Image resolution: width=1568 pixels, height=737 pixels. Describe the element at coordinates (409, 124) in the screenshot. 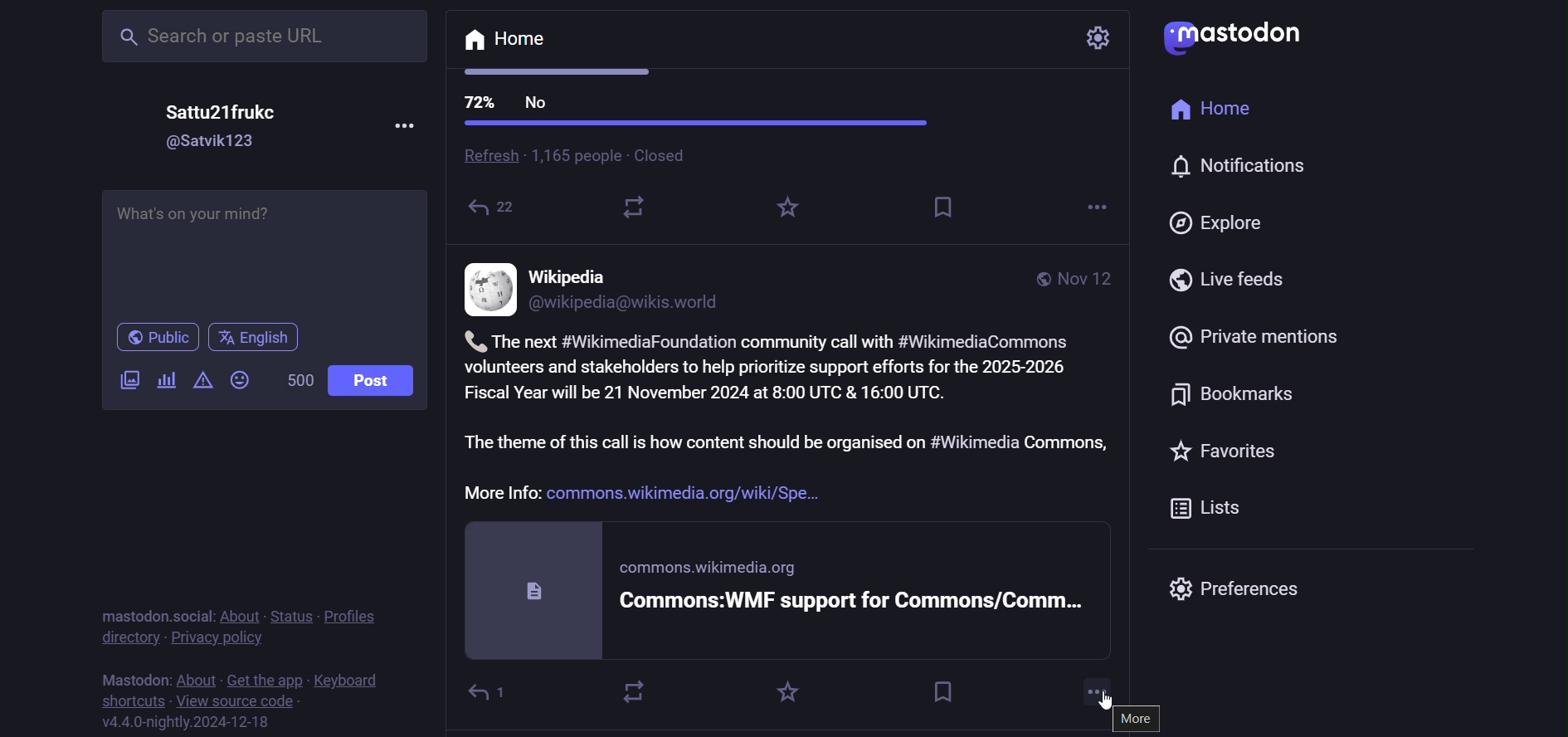

I see `more` at that location.